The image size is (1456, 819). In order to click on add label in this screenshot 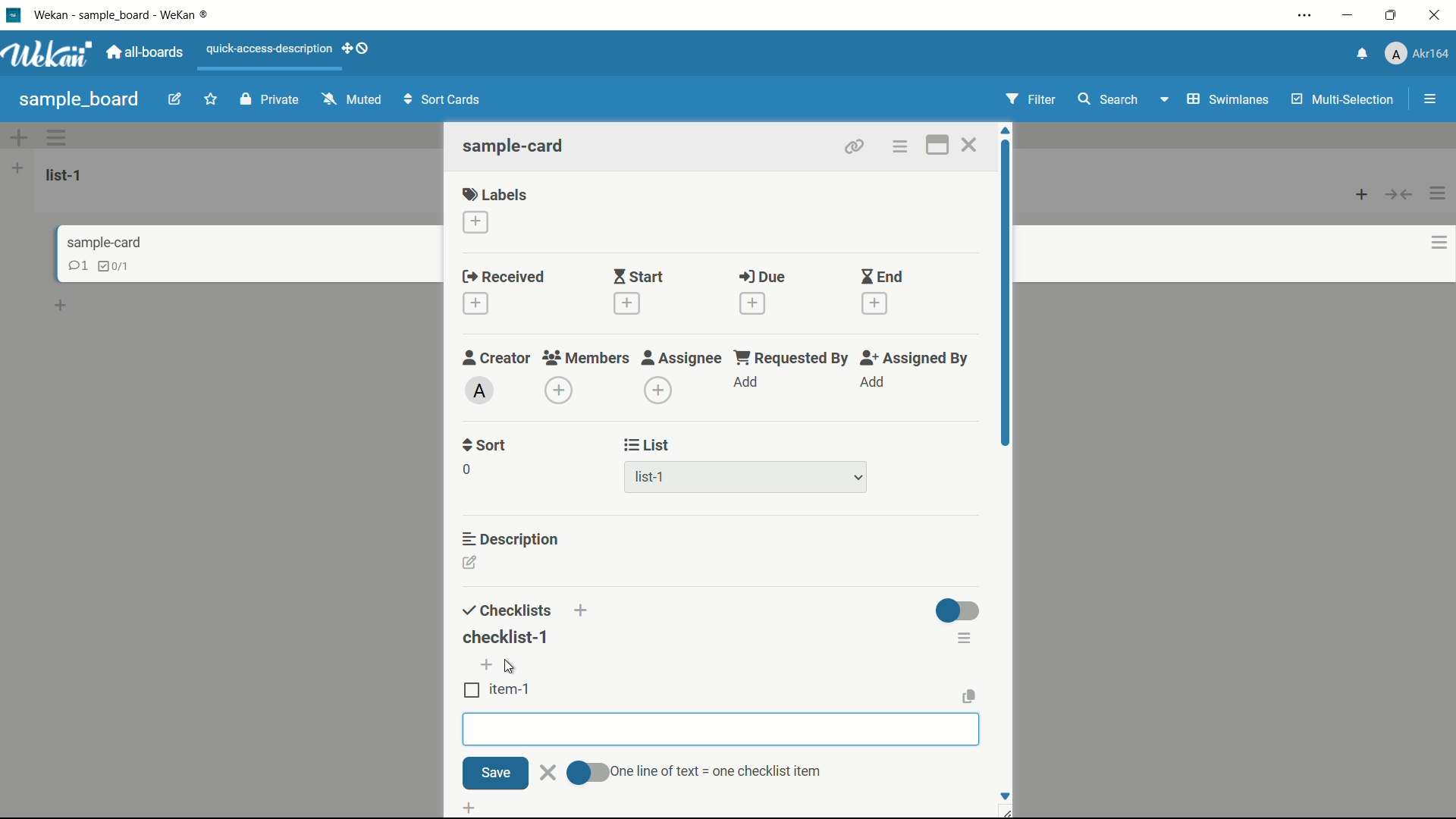, I will do `click(475, 221)`.